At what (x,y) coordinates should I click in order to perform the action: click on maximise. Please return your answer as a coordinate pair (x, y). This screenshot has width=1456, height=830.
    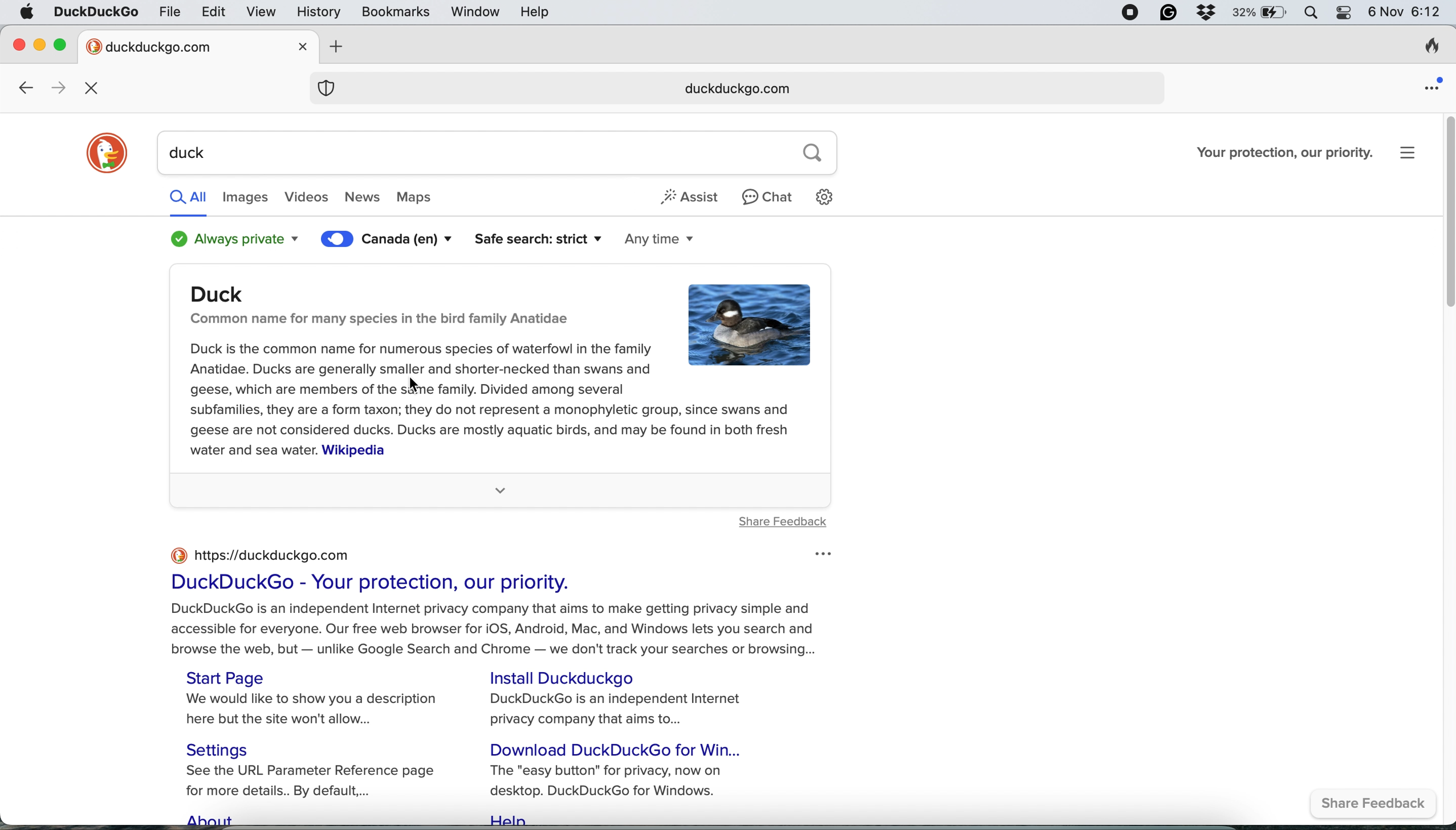
    Looking at the image, I should click on (66, 44).